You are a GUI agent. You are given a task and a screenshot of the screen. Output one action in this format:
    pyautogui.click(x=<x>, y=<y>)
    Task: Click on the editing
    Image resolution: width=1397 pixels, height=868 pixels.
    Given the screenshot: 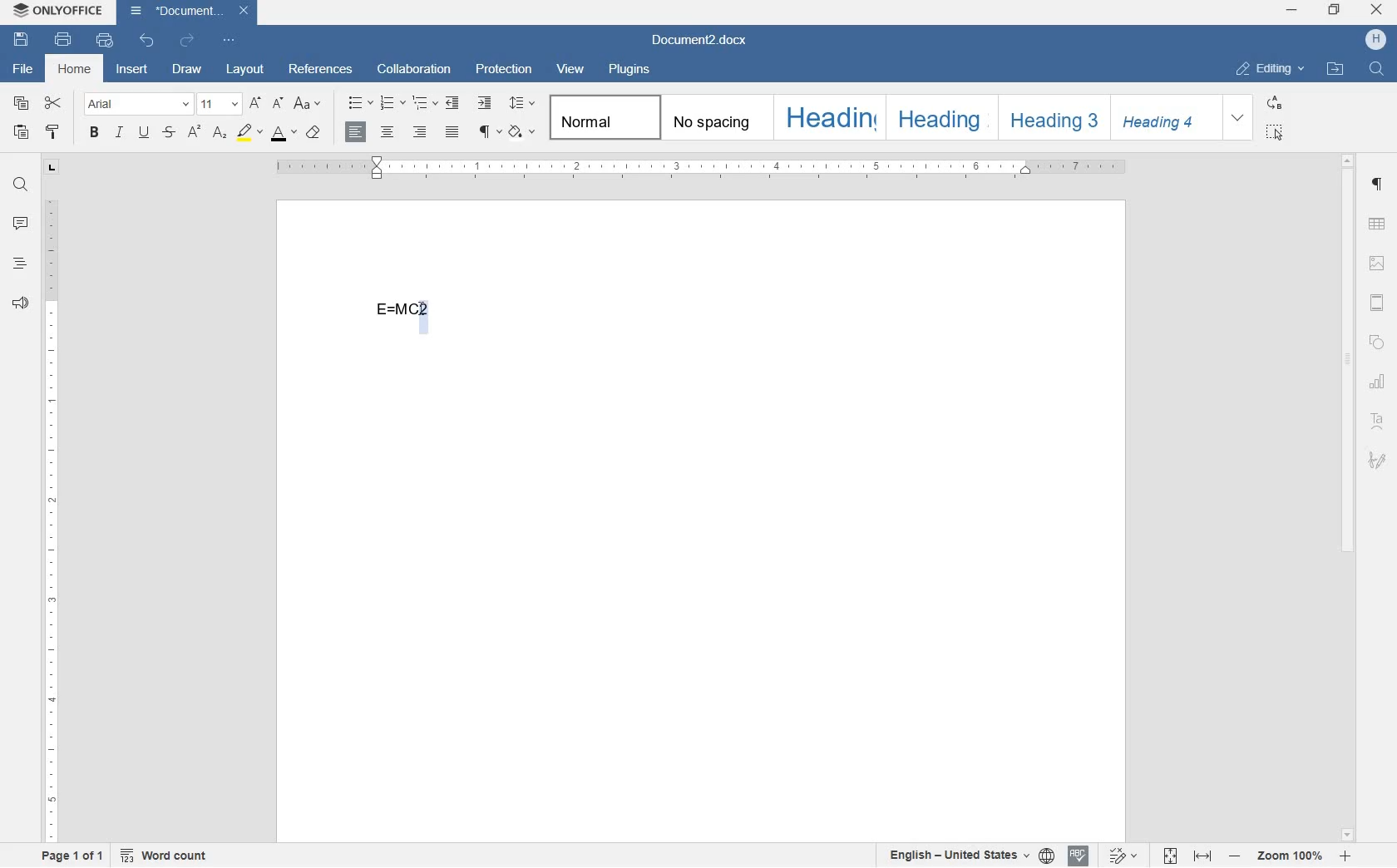 What is the action you would take?
    pyautogui.click(x=1268, y=69)
    